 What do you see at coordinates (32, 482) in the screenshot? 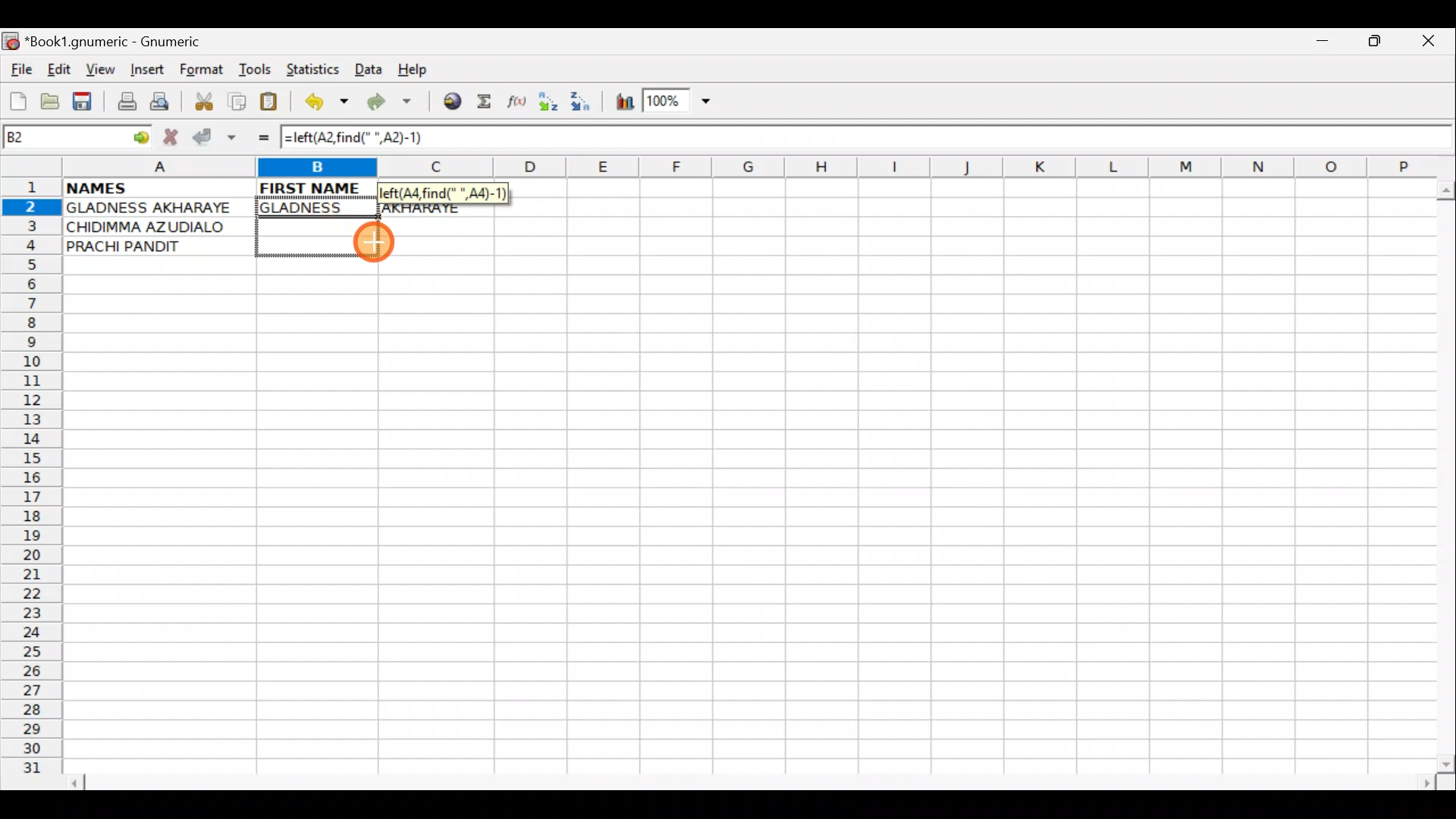
I see `Rows` at bounding box center [32, 482].